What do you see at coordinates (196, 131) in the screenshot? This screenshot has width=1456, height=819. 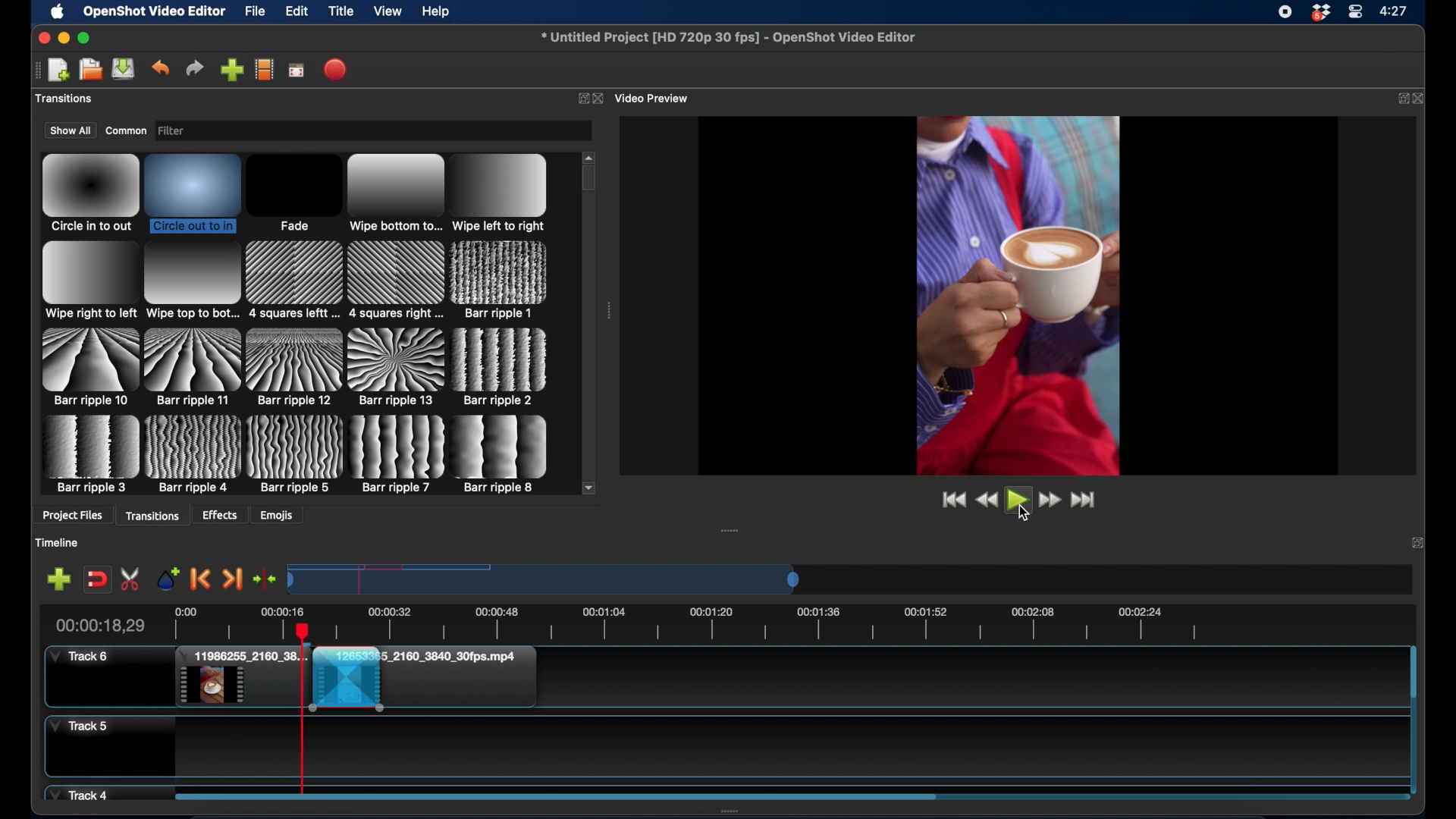 I see `filter` at bounding box center [196, 131].